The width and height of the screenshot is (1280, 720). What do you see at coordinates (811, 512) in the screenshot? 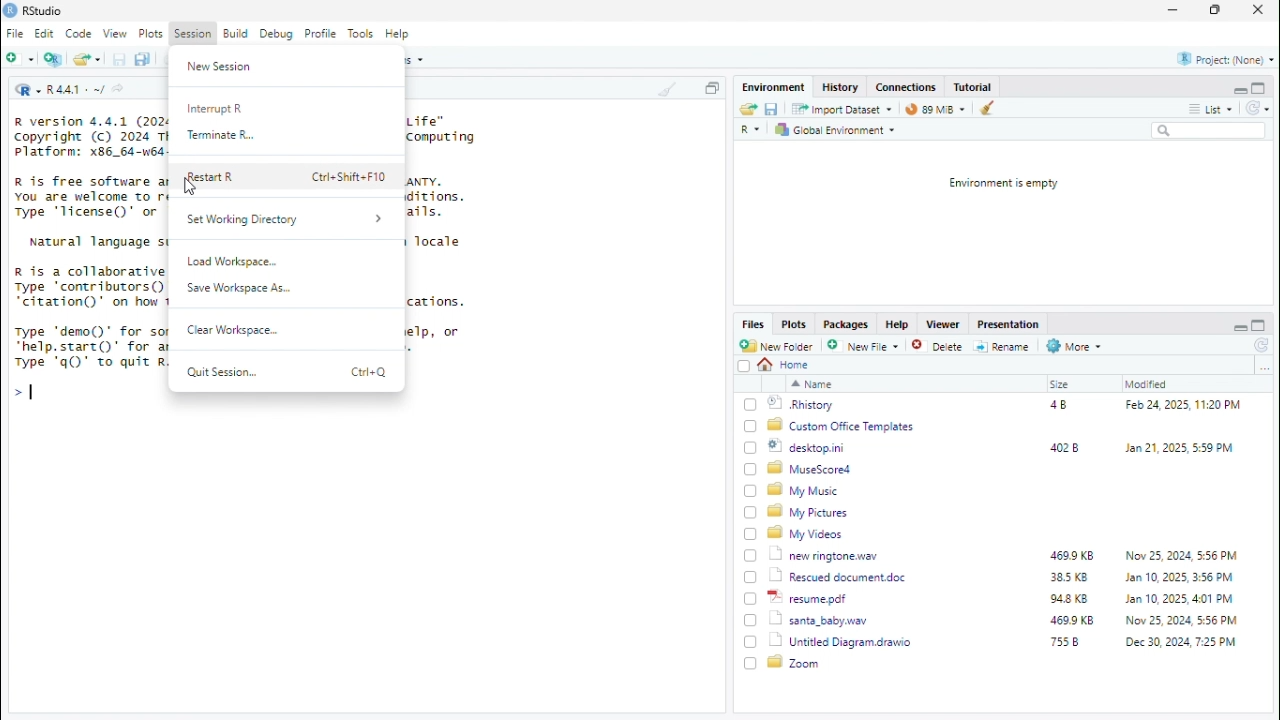
I see `My Pictures` at bounding box center [811, 512].